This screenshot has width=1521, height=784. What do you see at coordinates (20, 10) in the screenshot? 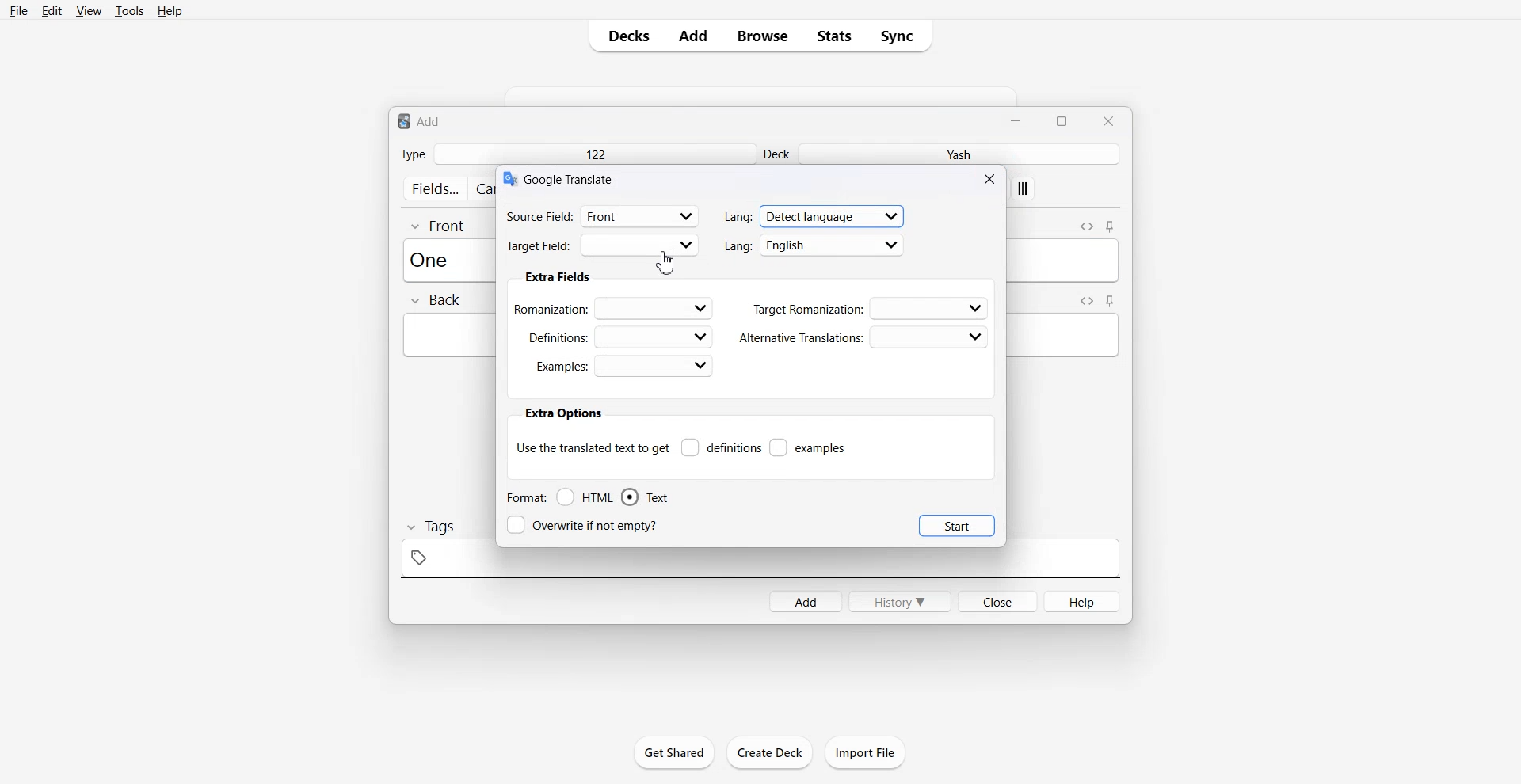
I see `File` at bounding box center [20, 10].